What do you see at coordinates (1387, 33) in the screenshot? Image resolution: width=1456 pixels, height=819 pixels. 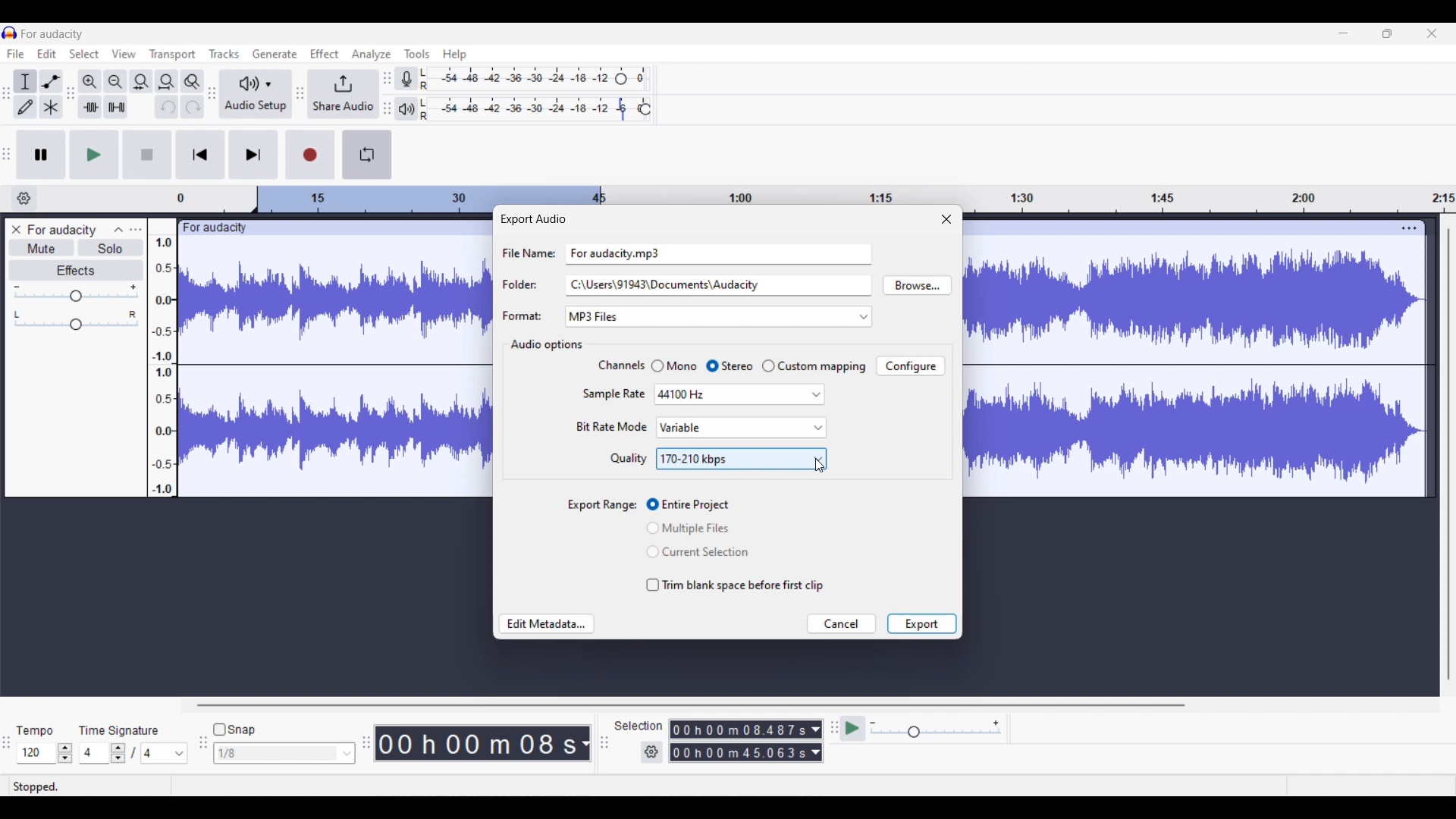 I see `Show in smaller tab` at bounding box center [1387, 33].